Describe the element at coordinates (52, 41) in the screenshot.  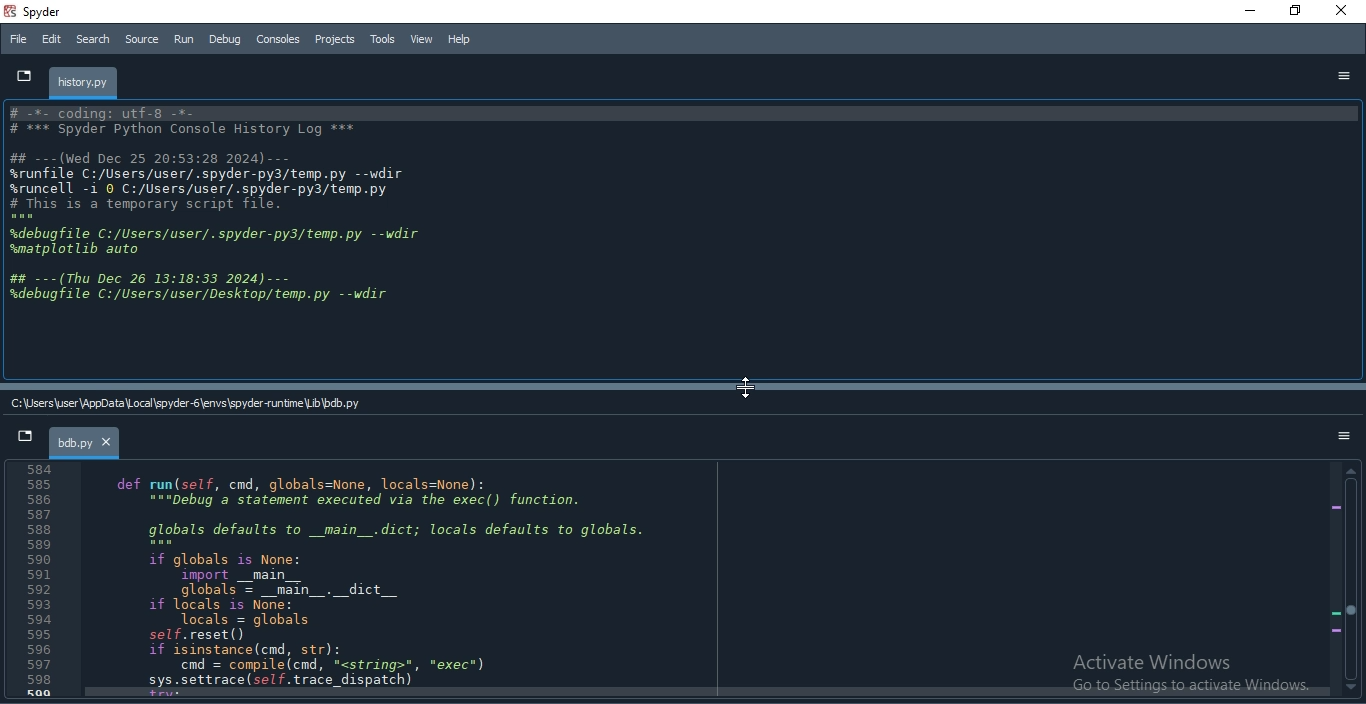
I see `Edit` at that location.